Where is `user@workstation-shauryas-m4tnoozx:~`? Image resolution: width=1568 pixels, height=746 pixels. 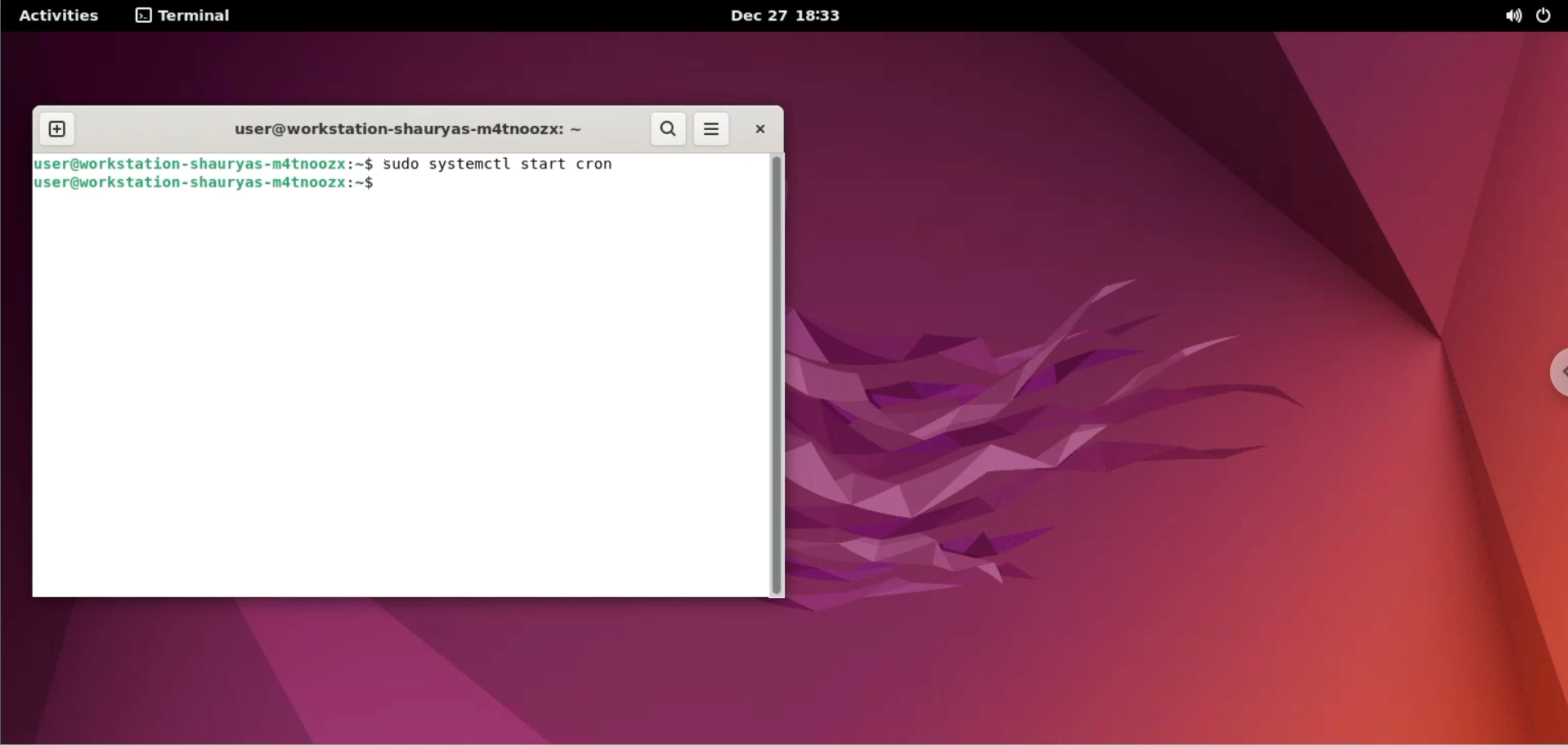
user@workstation-shauryas-m4tnoozx:~ is located at coordinates (398, 129).